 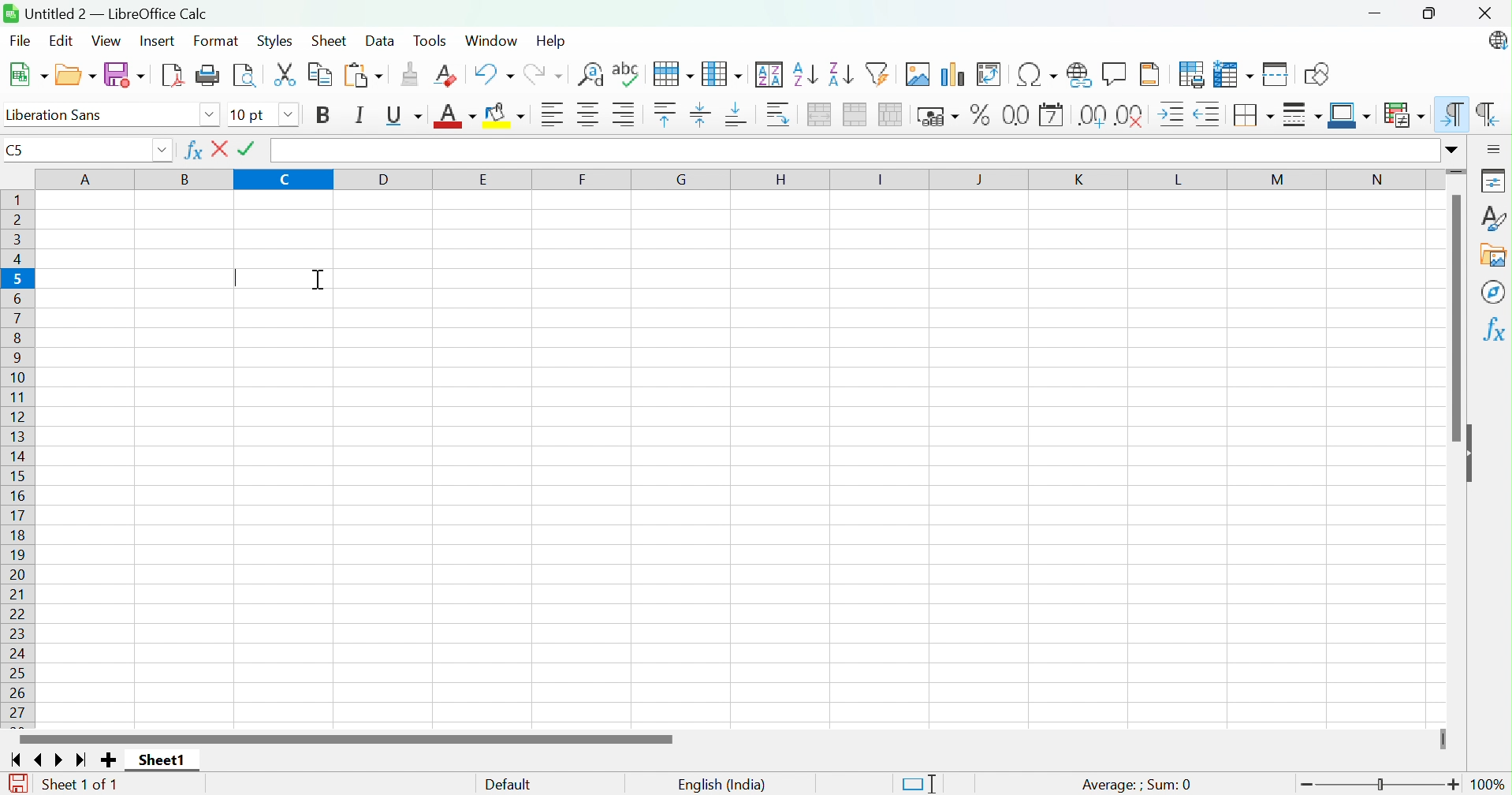 I want to click on Insert image, so click(x=920, y=74).